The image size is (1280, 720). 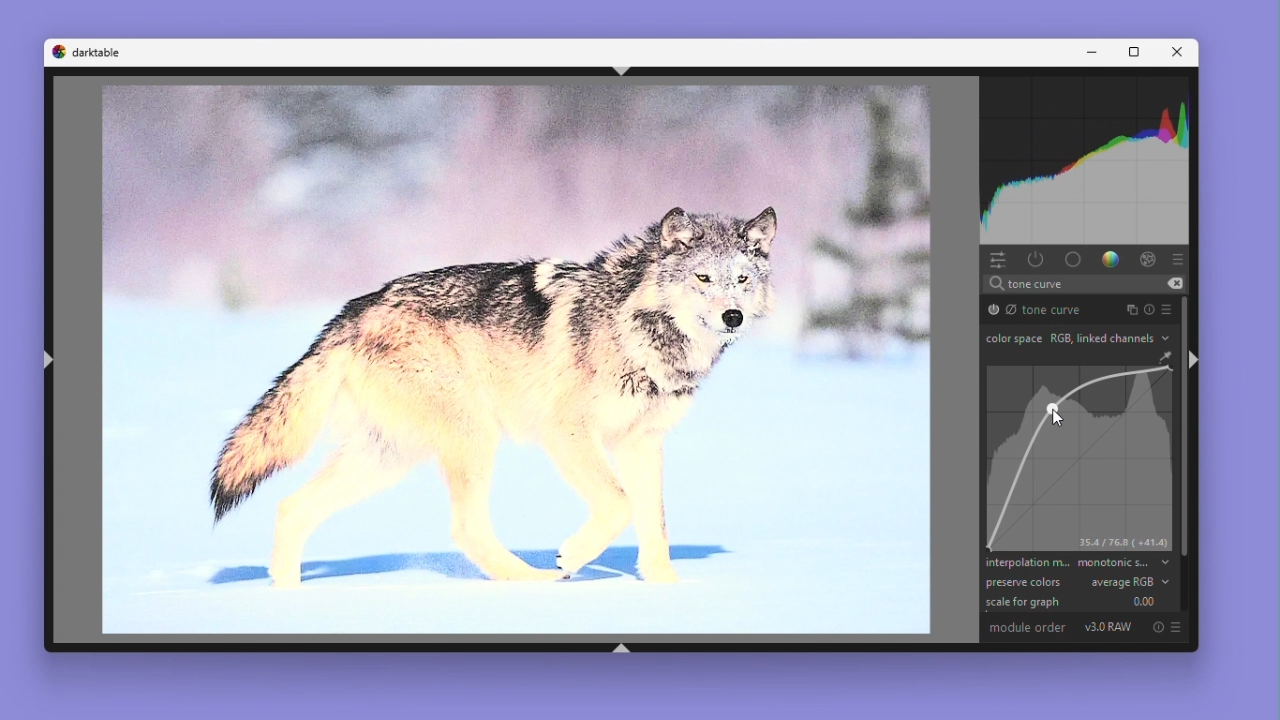 What do you see at coordinates (625, 646) in the screenshot?
I see `shift+ctrl+b` at bounding box center [625, 646].